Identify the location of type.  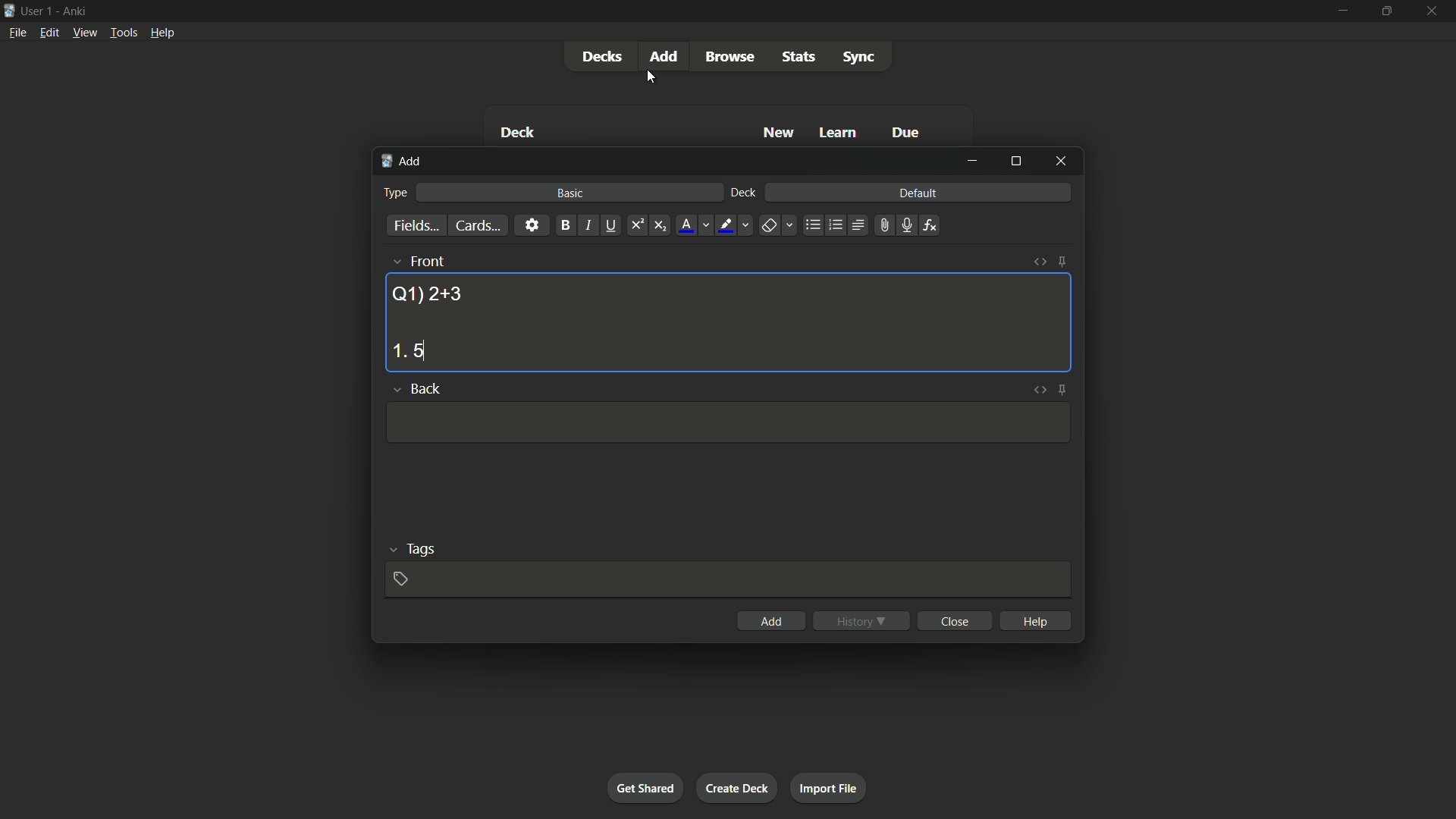
(394, 193).